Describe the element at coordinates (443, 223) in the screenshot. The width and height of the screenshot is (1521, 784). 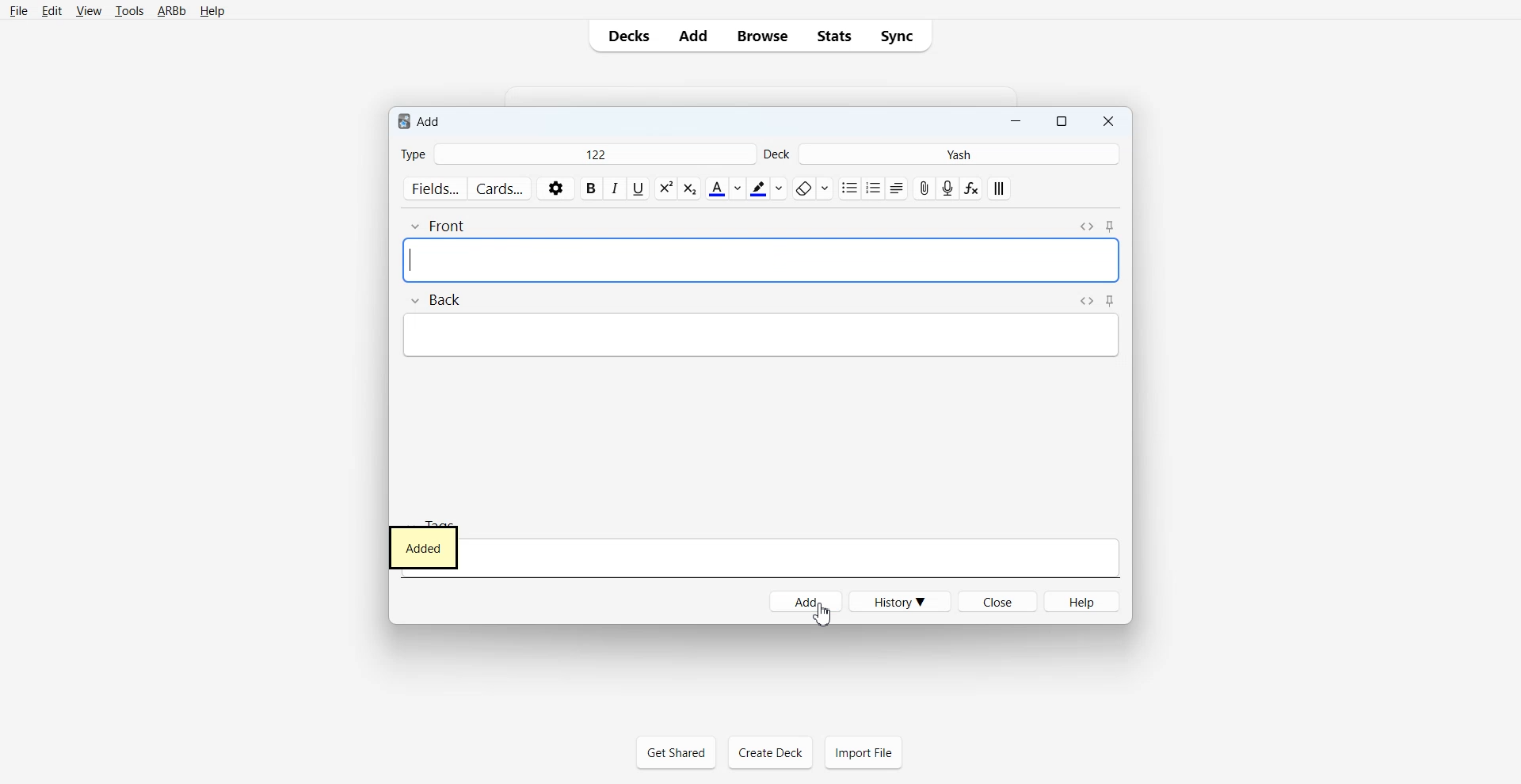
I see `front` at that location.